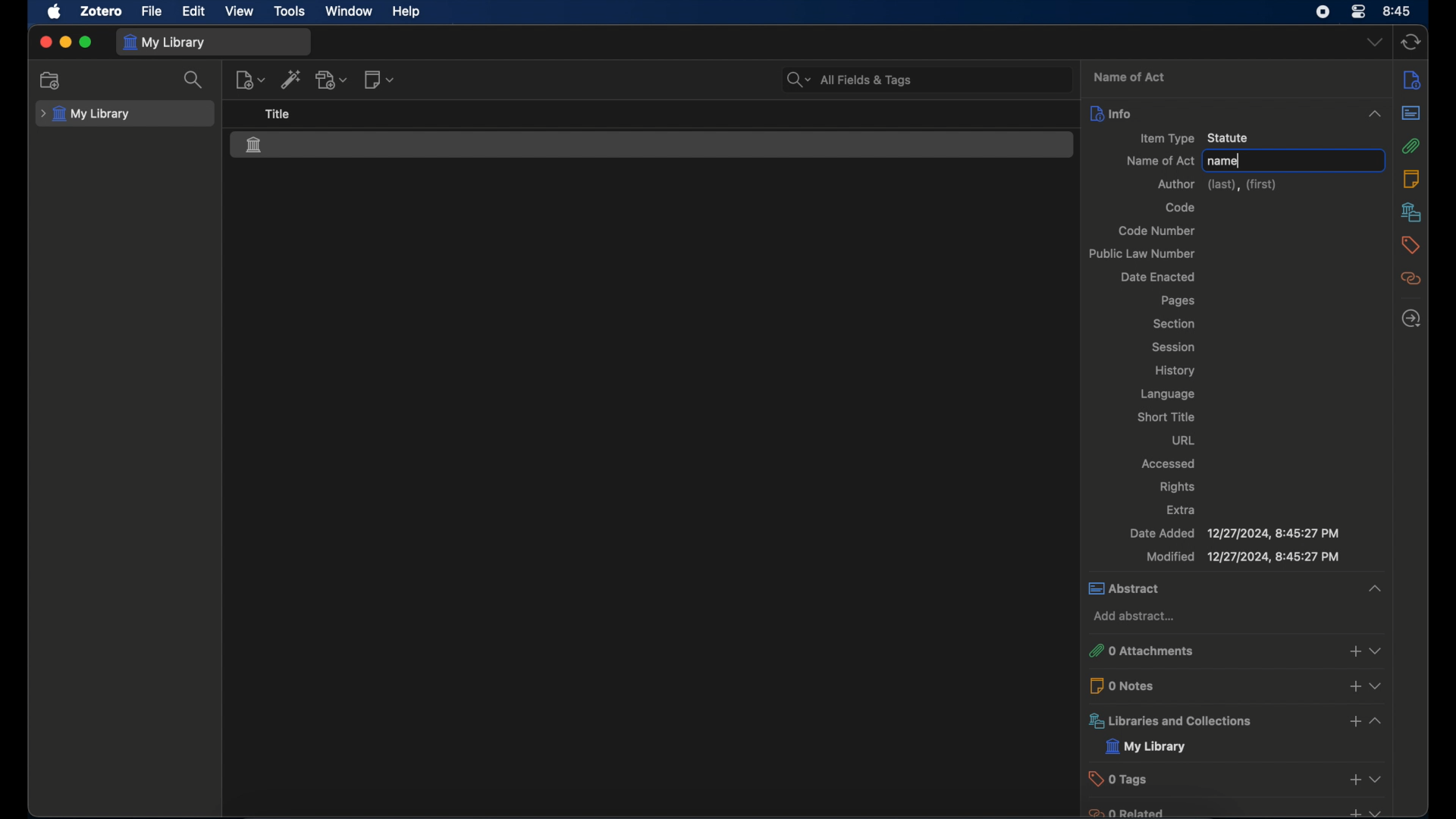 The width and height of the screenshot is (1456, 819). Describe the element at coordinates (1175, 323) in the screenshot. I see `section` at that location.